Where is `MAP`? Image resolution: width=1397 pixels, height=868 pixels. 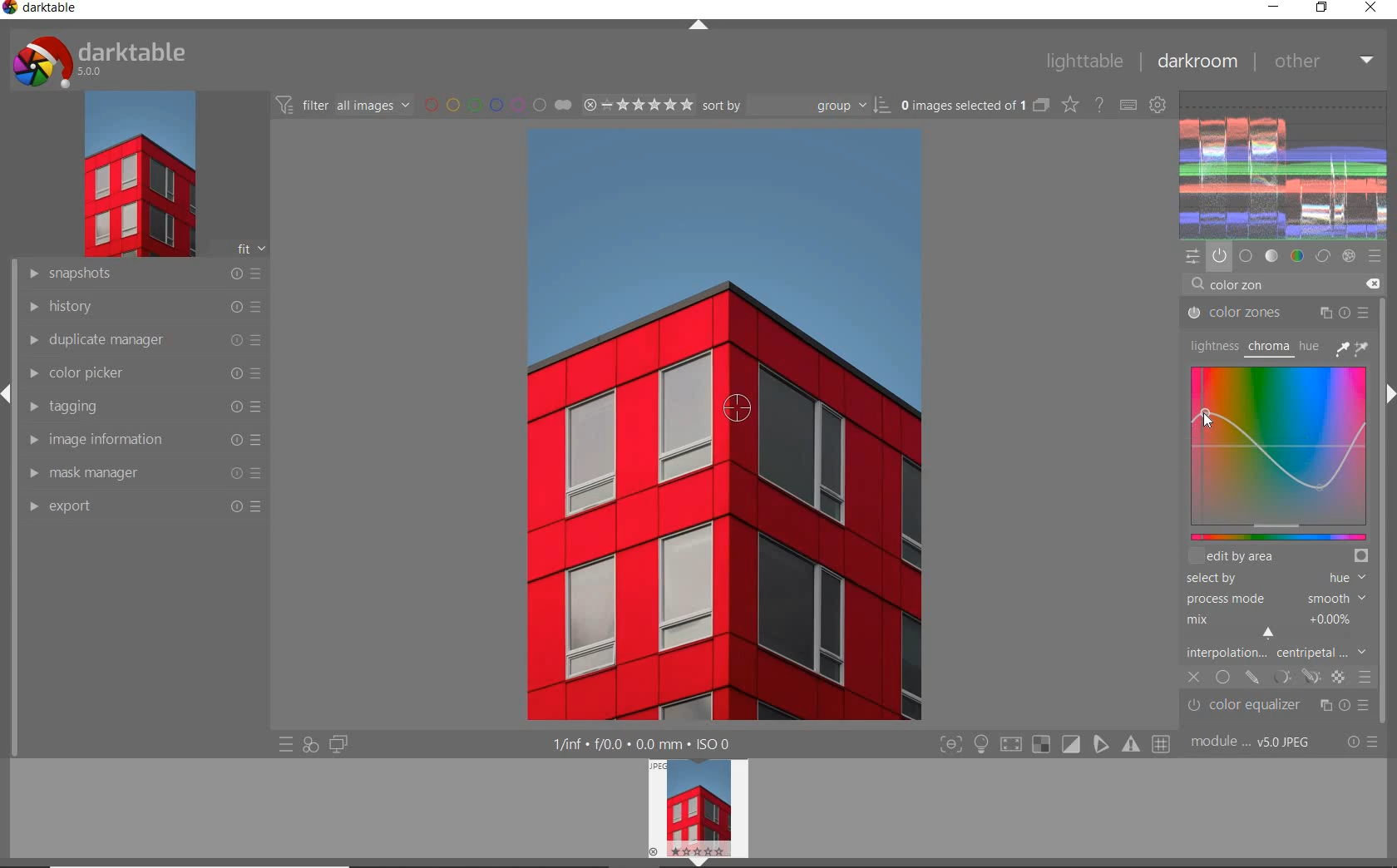 MAP is located at coordinates (1283, 451).